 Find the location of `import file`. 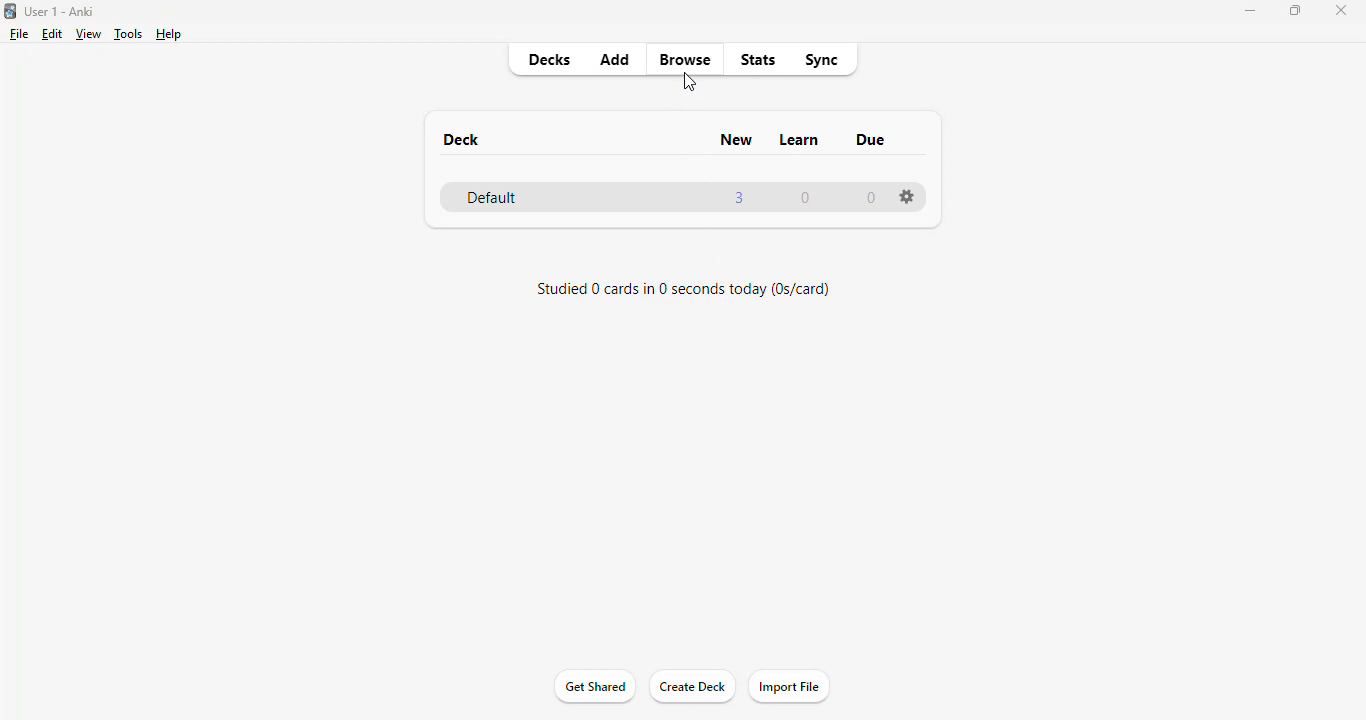

import file is located at coordinates (791, 688).